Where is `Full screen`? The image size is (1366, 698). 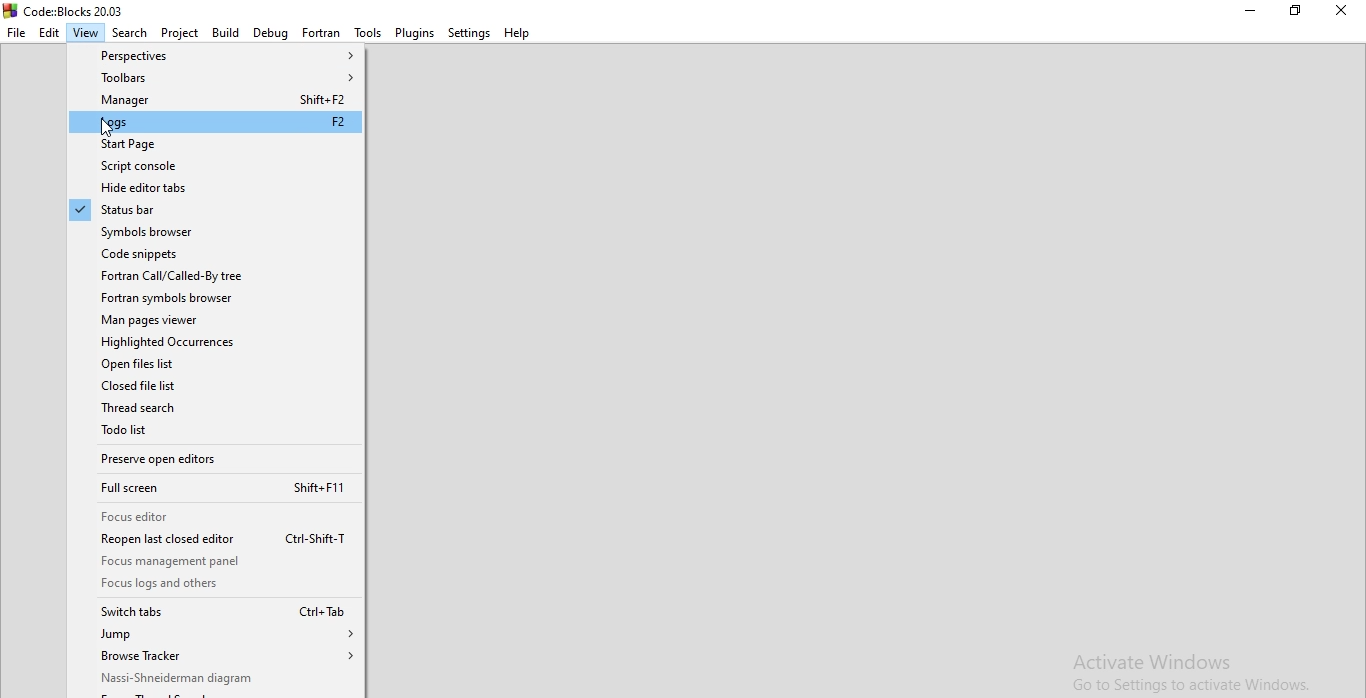
Full screen is located at coordinates (217, 488).